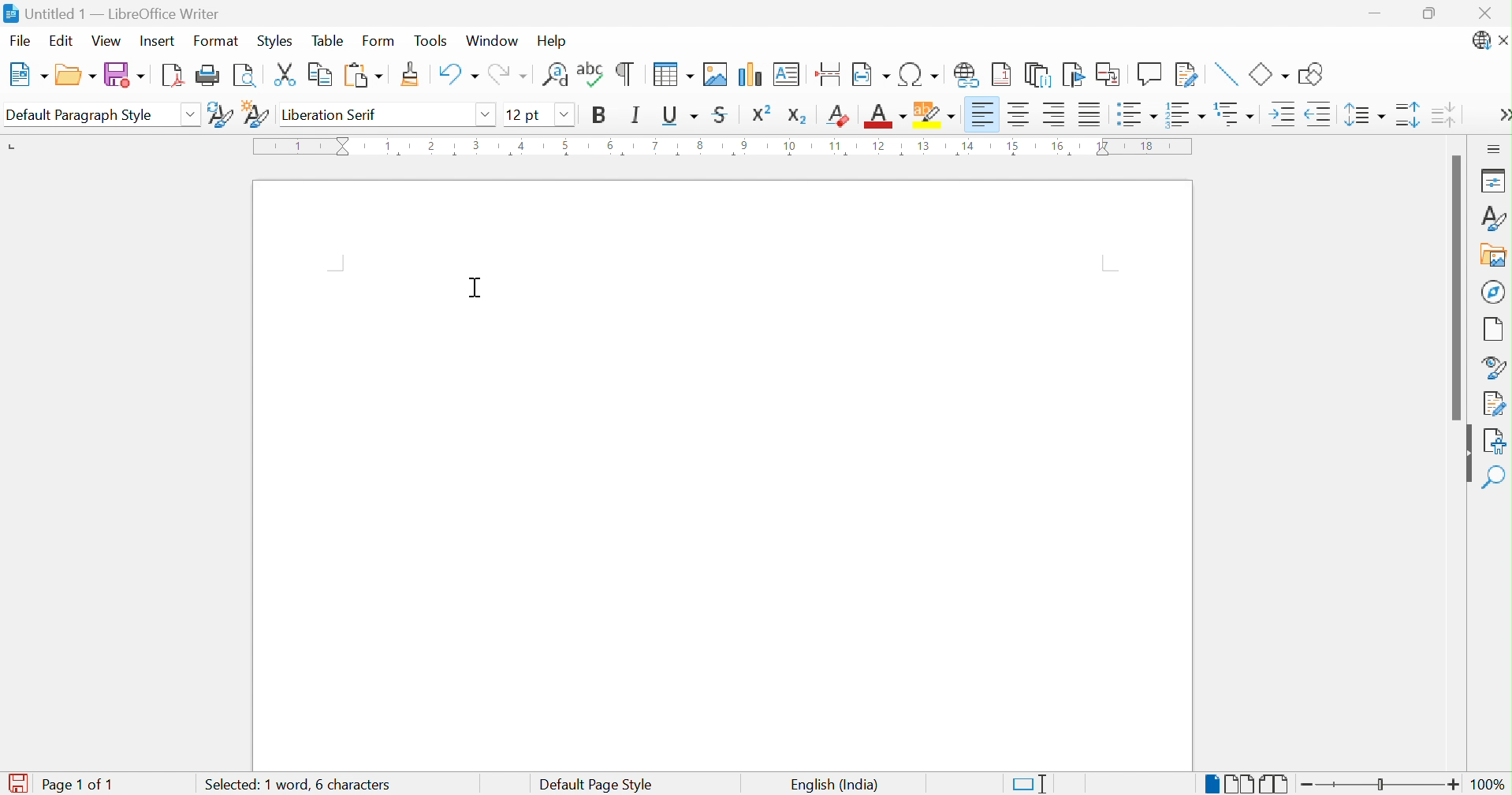 Image resolution: width=1512 pixels, height=795 pixels. What do you see at coordinates (209, 75) in the screenshot?
I see `Print` at bounding box center [209, 75].